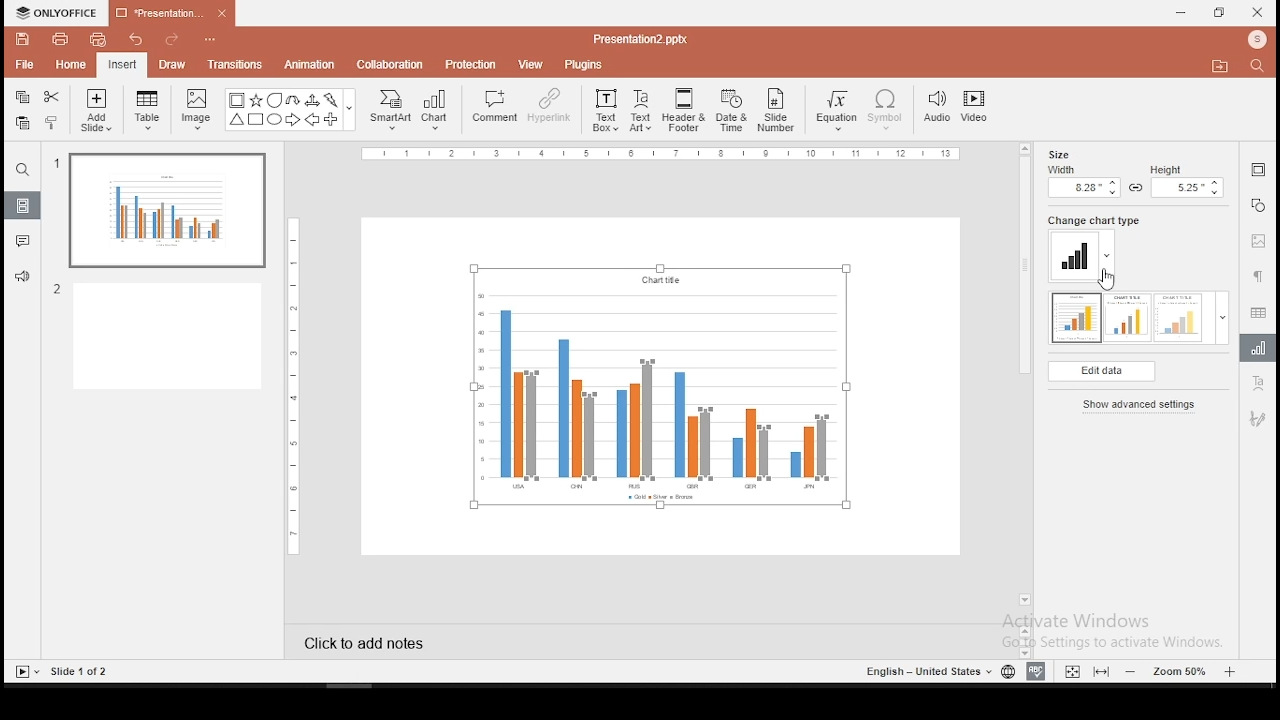  What do you see at coordinates (1073, 670) in the screenshot?
I see `fit to slide` at bounding box center [1073, 670].